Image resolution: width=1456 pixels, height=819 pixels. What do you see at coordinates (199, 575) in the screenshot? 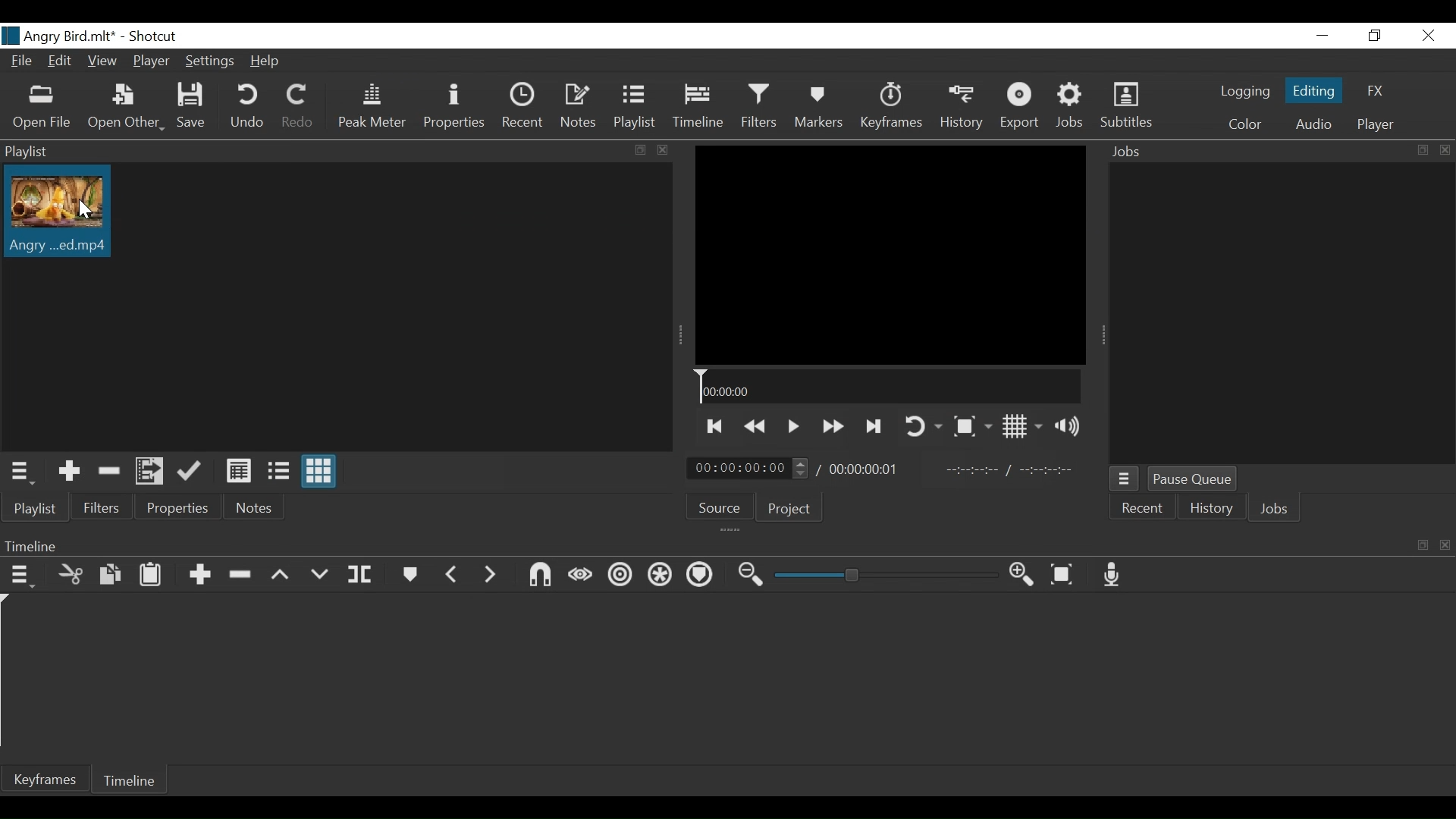
I see `Append` at bounding box center [199, 575].